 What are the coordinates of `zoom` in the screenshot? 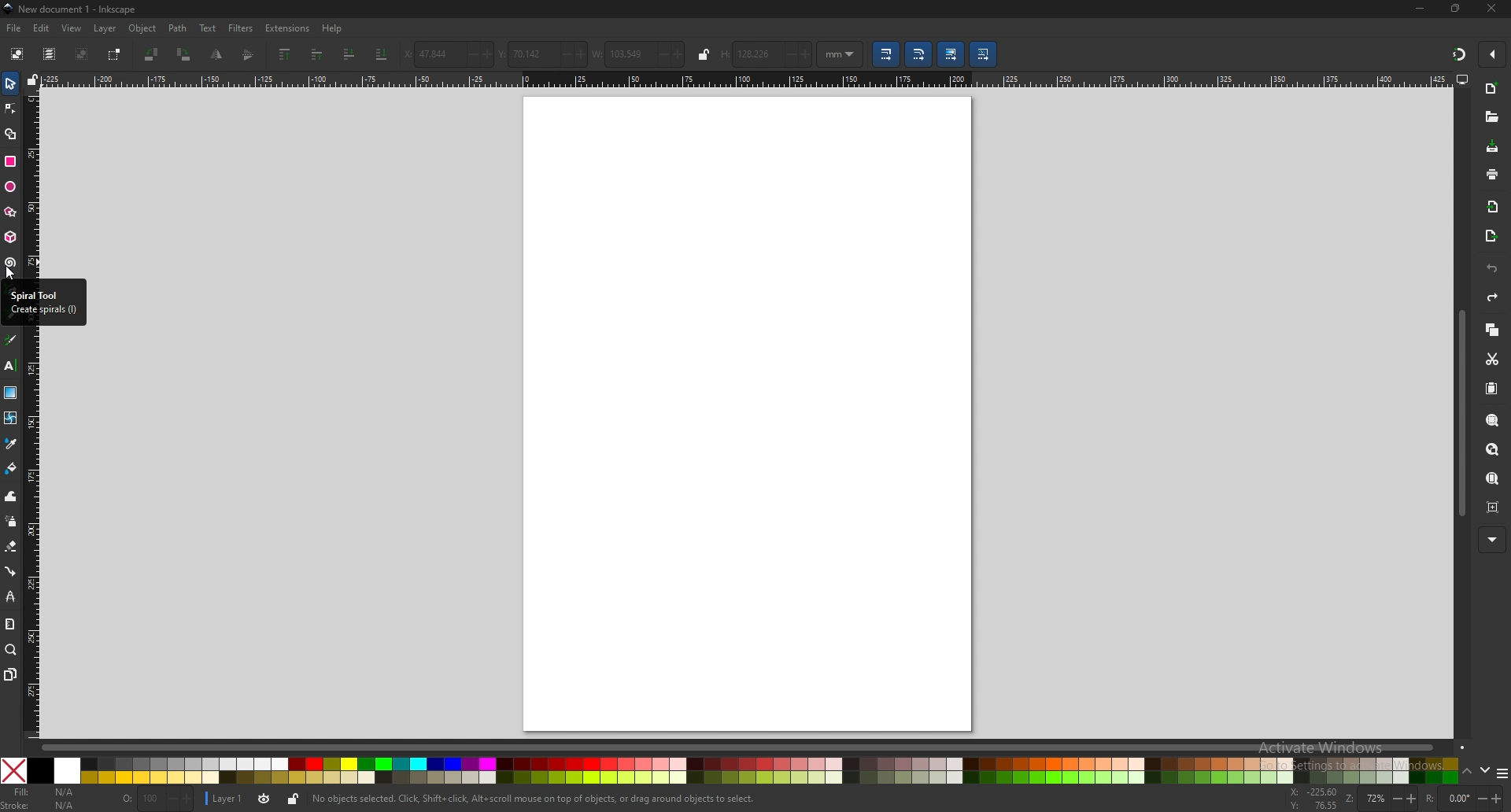 It's located at (12, 651).